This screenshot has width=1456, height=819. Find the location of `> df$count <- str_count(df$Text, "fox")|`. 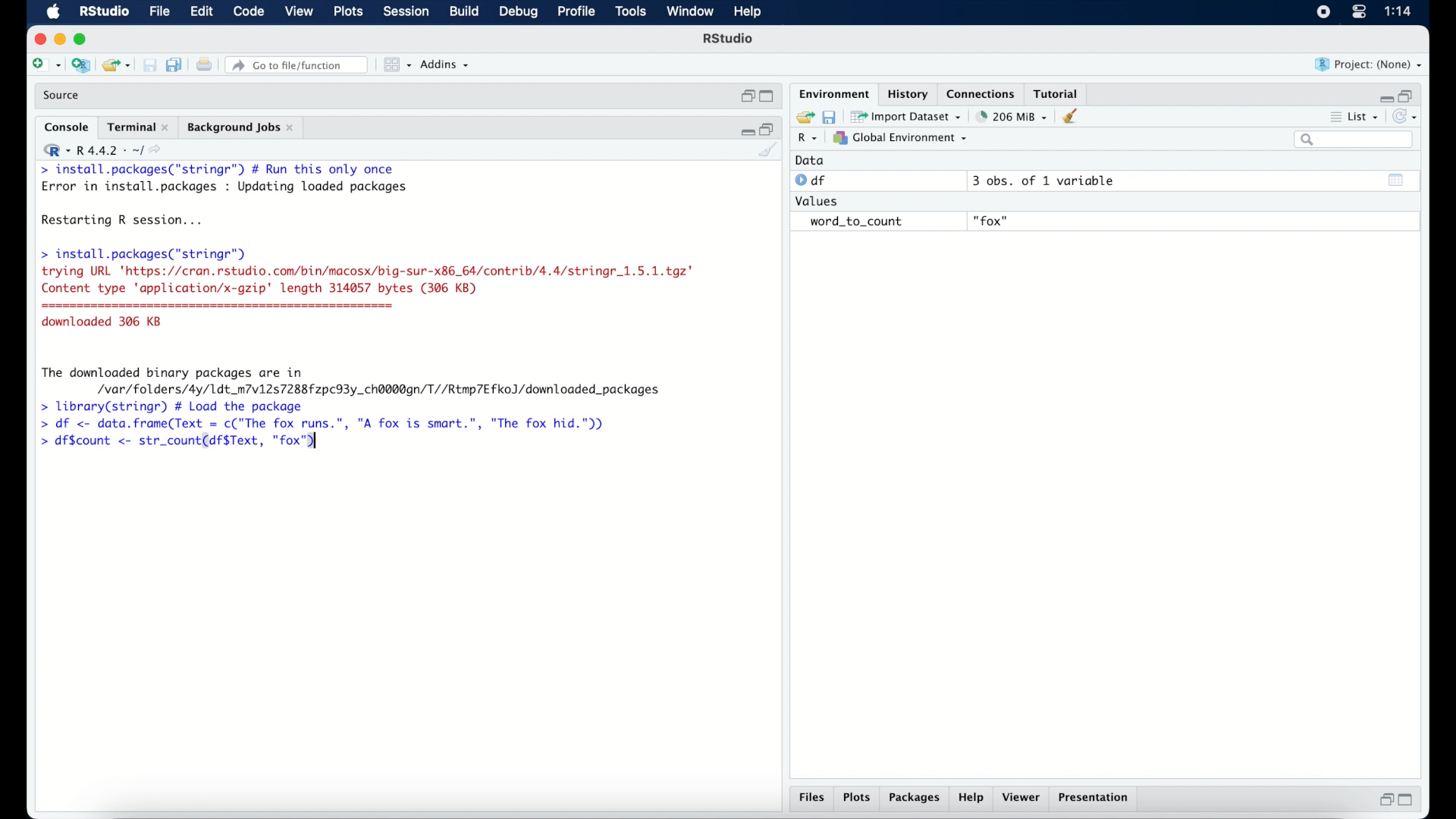

> df$count <- str_count(df$Text, "fox")| is located at coordinates (184, 441).